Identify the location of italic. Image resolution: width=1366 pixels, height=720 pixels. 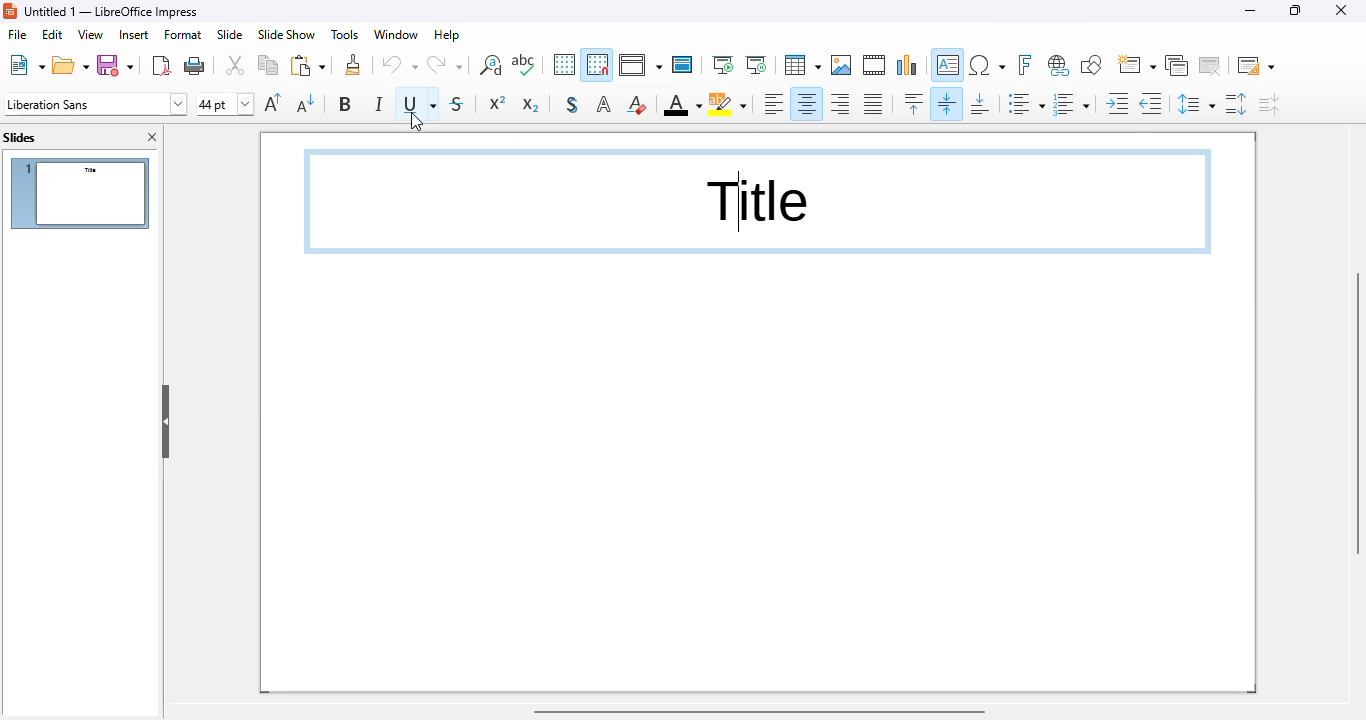
(379, 103).